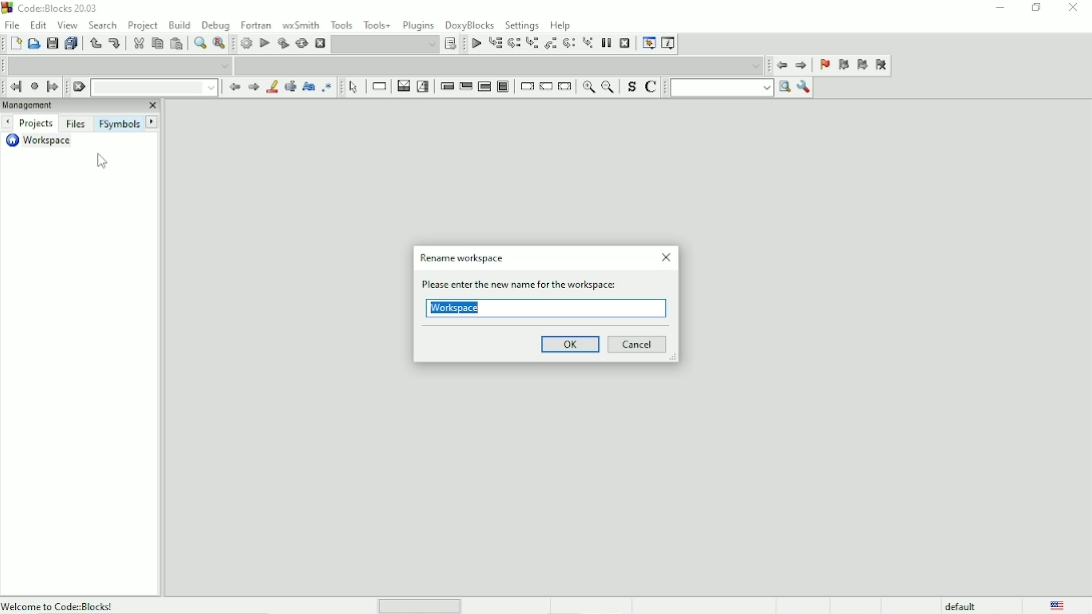 This screenshot has width=1092, height=614. Describe the element at coordinates (220, 43) in the screenshot. I see `Replace` at that location.